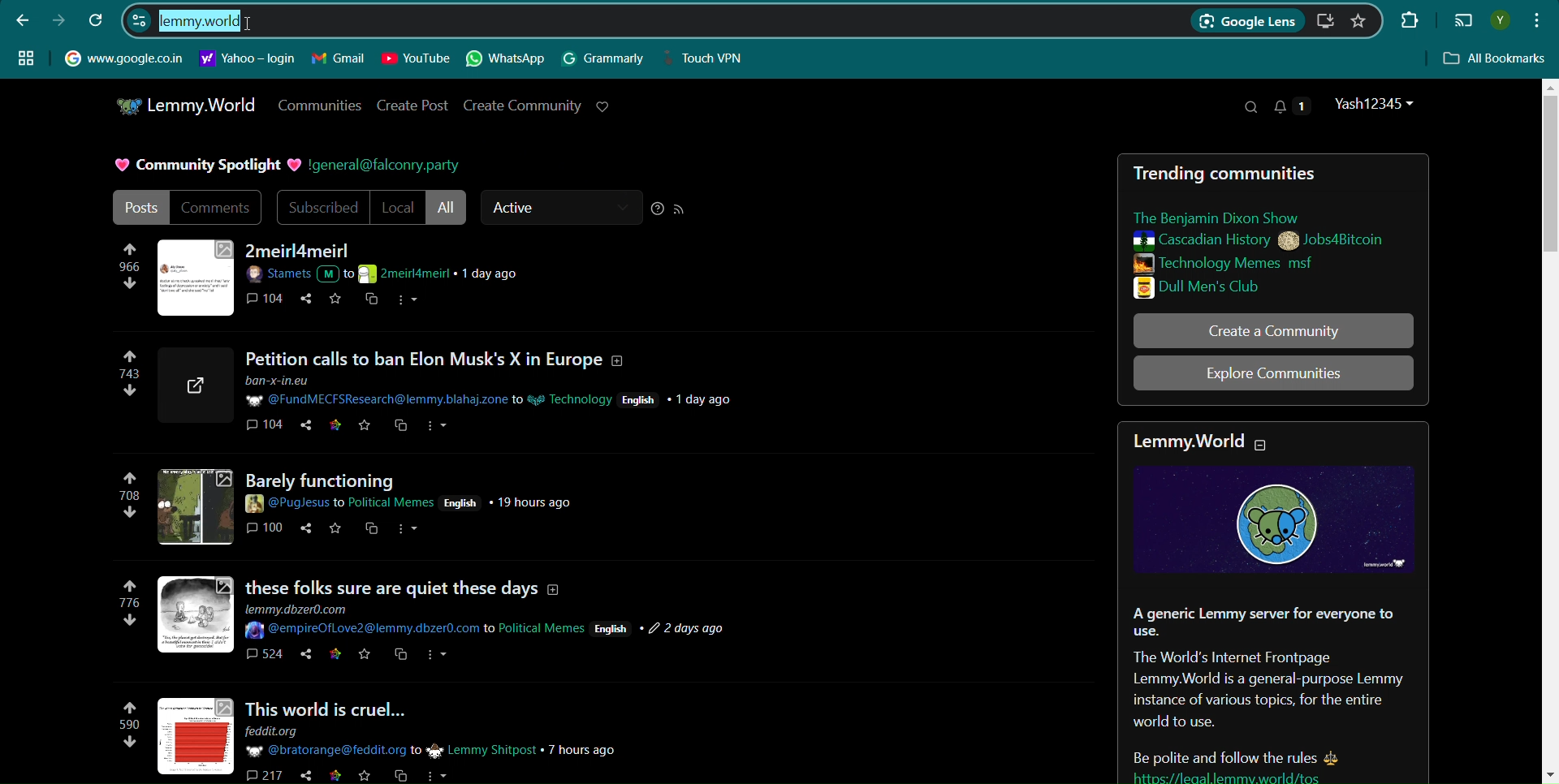 The width and height of the screenshot is (1559, 784). Describe the element at coordinates (196, 386) in the screenshot. I see `URL` at that location.